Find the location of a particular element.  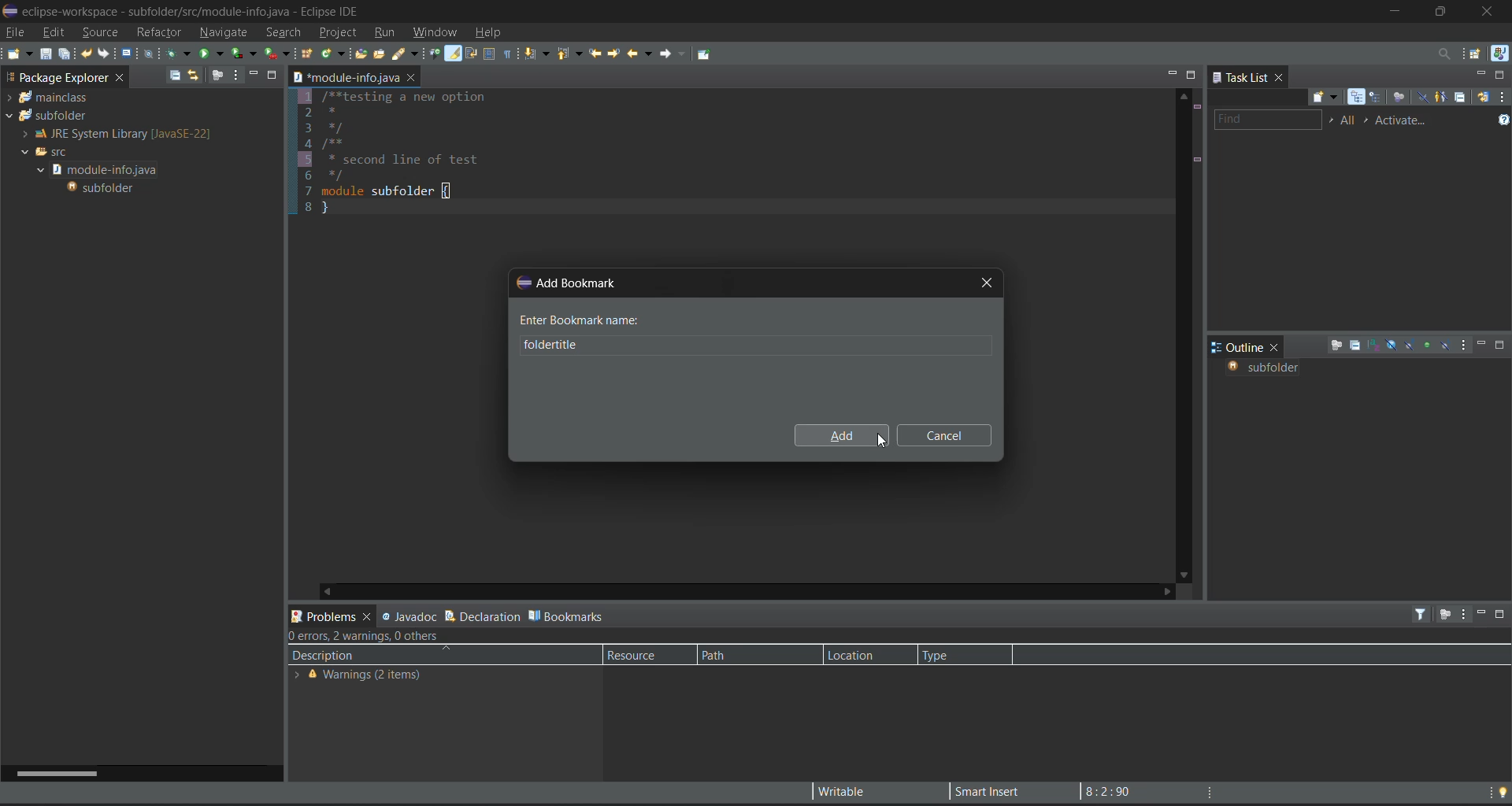

cancel is located at coordinates (943, 435).